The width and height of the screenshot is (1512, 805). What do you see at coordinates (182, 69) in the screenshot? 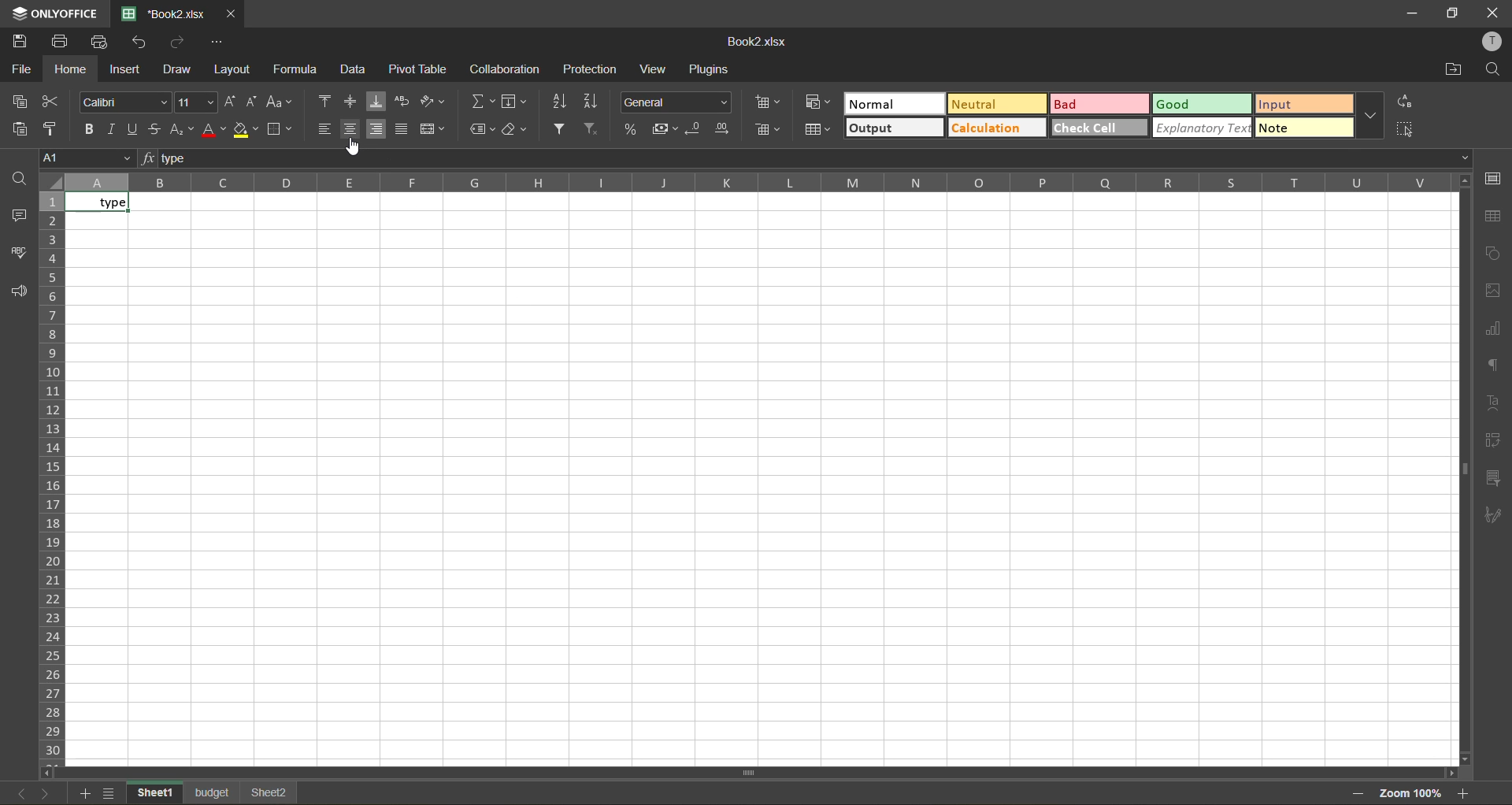
I see `draw` at bounding box center [182, 69].